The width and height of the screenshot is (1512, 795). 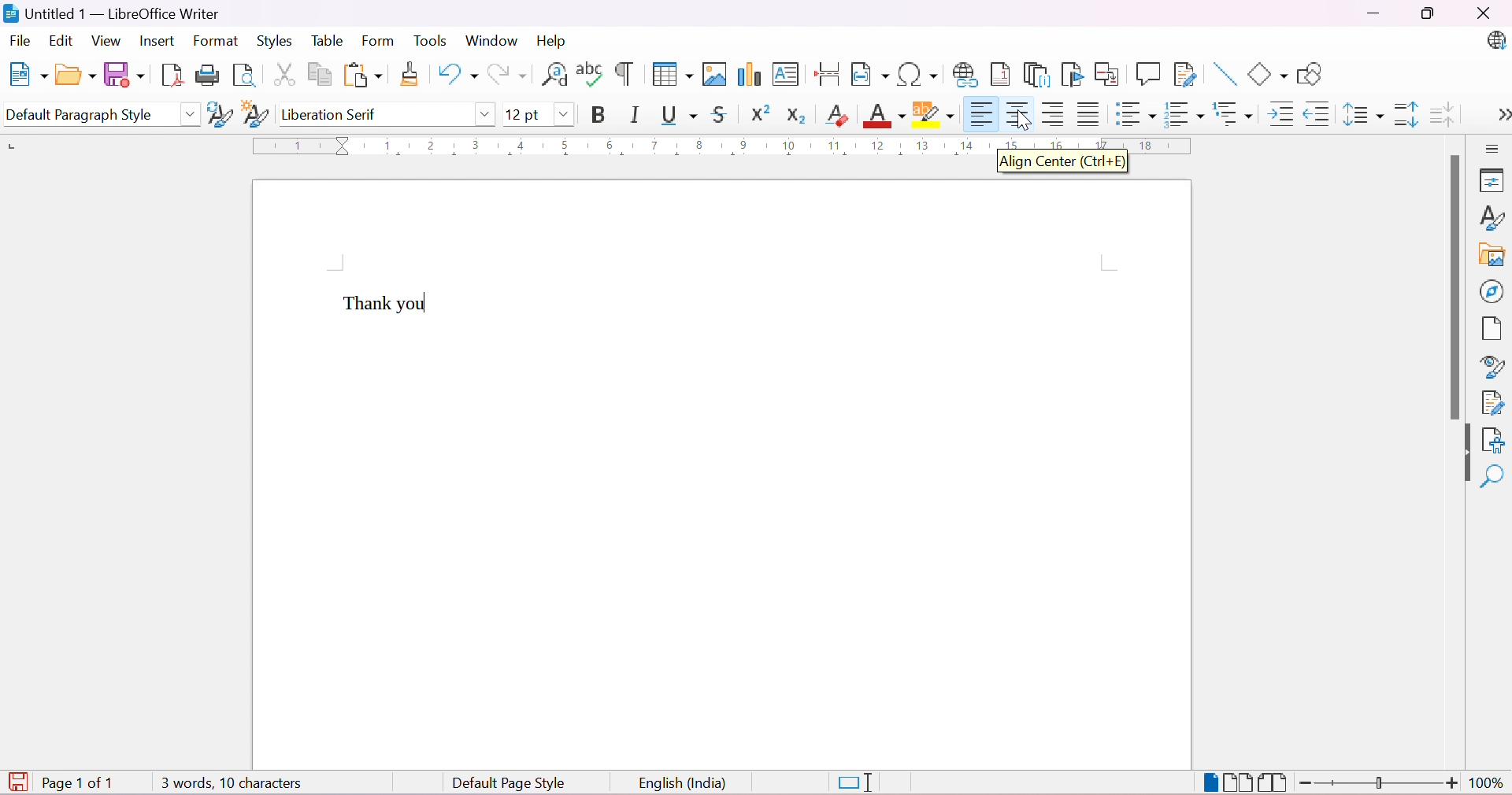 I want to click on Copy, so click(x=317, y=72).